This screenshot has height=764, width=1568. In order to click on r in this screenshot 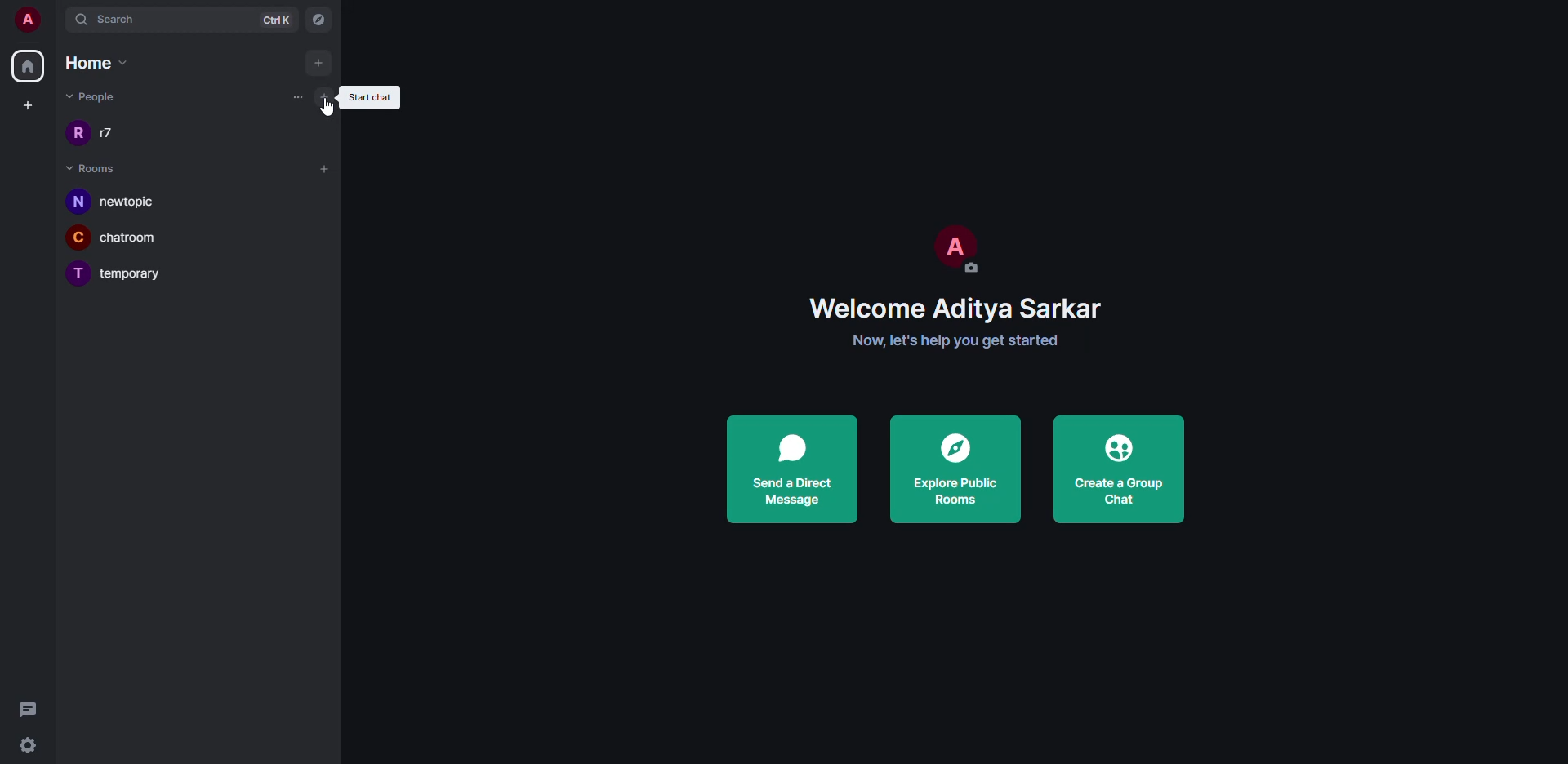, I will do `click(78, 134)`.